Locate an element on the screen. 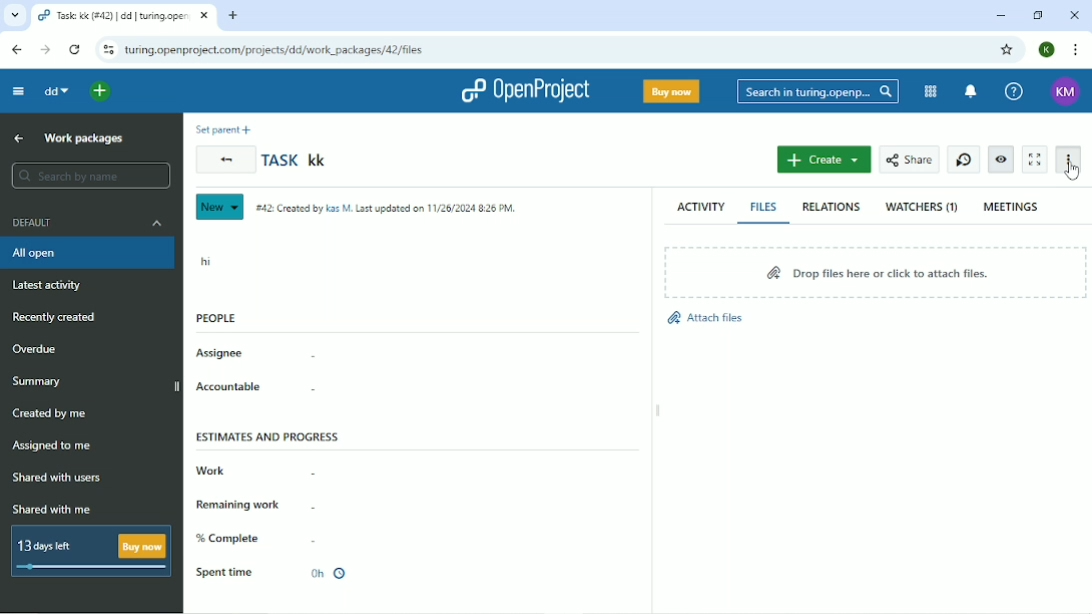  Reload this page is located at coordinates (76, 51).